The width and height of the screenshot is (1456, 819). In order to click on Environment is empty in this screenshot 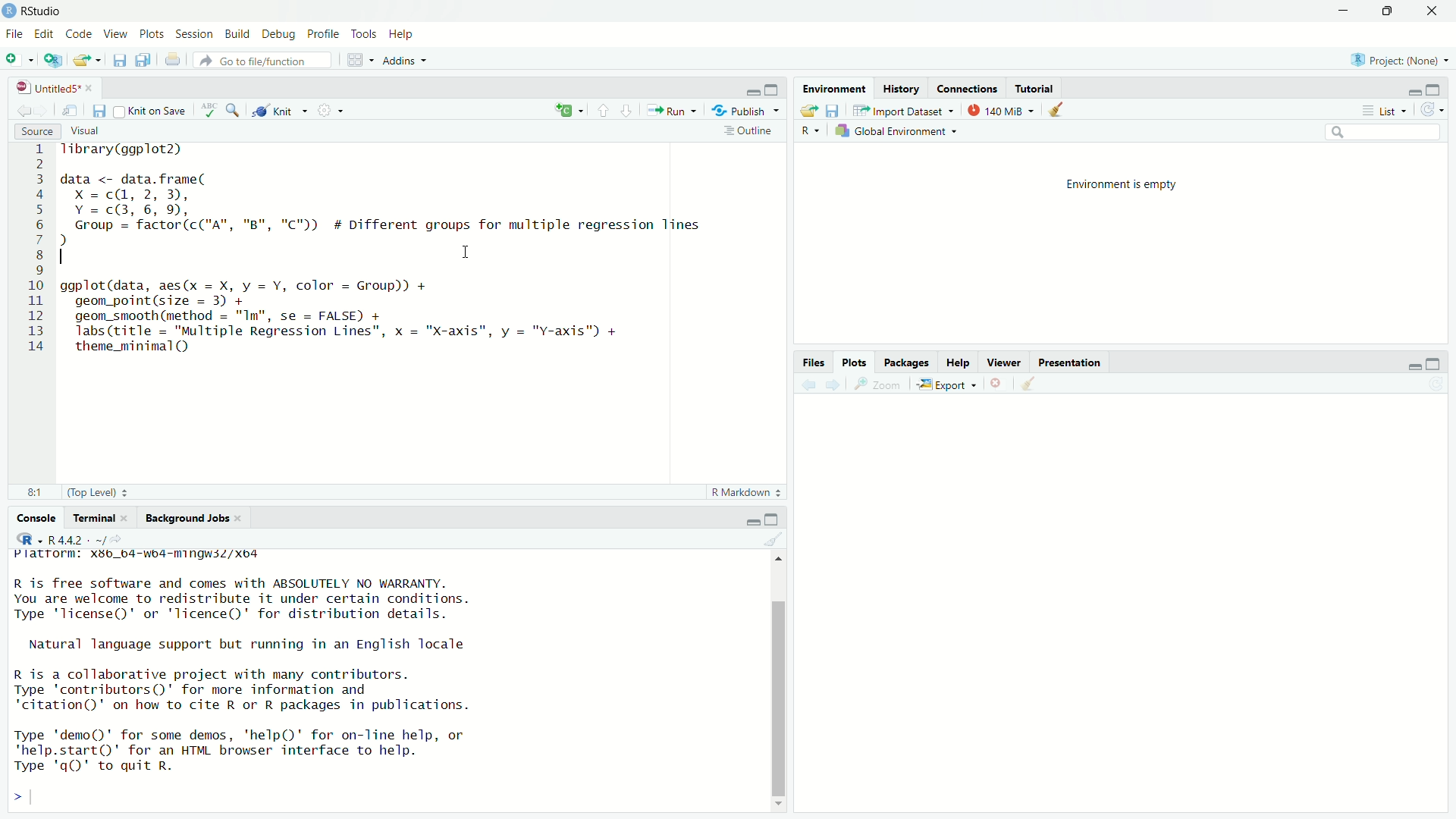, I will do `click(1131, 185)`.